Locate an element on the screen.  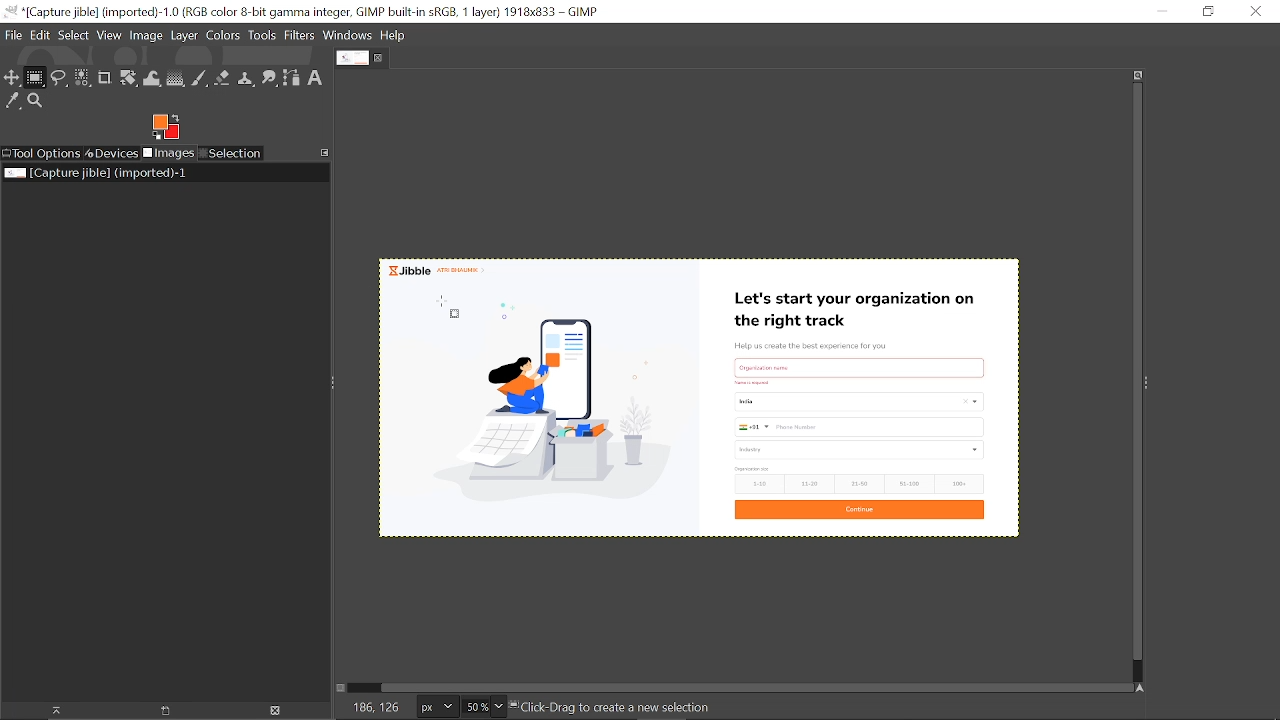
Help us create the best experience for you is located at coordinates (825, 344).